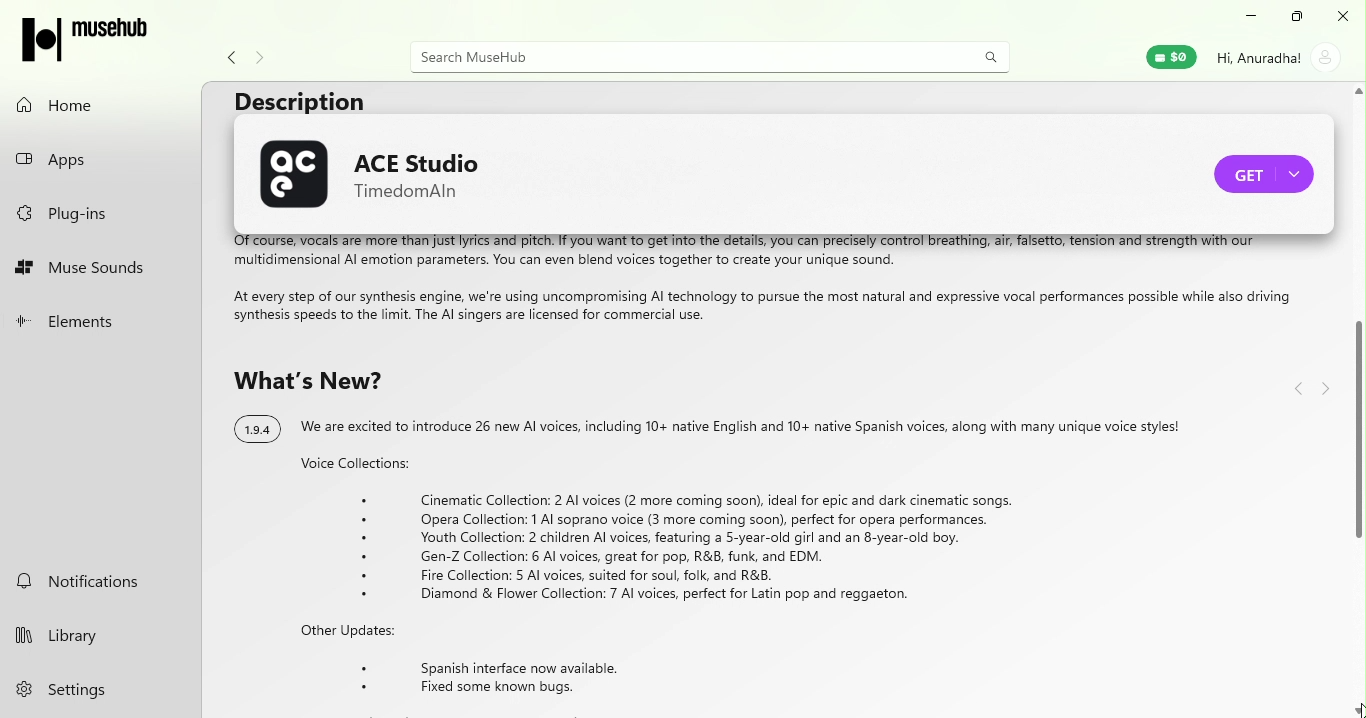 The width and height of the screenshot is (1366, 718). Describe the element at coordinates (94, 105) in the screenshot. I see `home` at that location.